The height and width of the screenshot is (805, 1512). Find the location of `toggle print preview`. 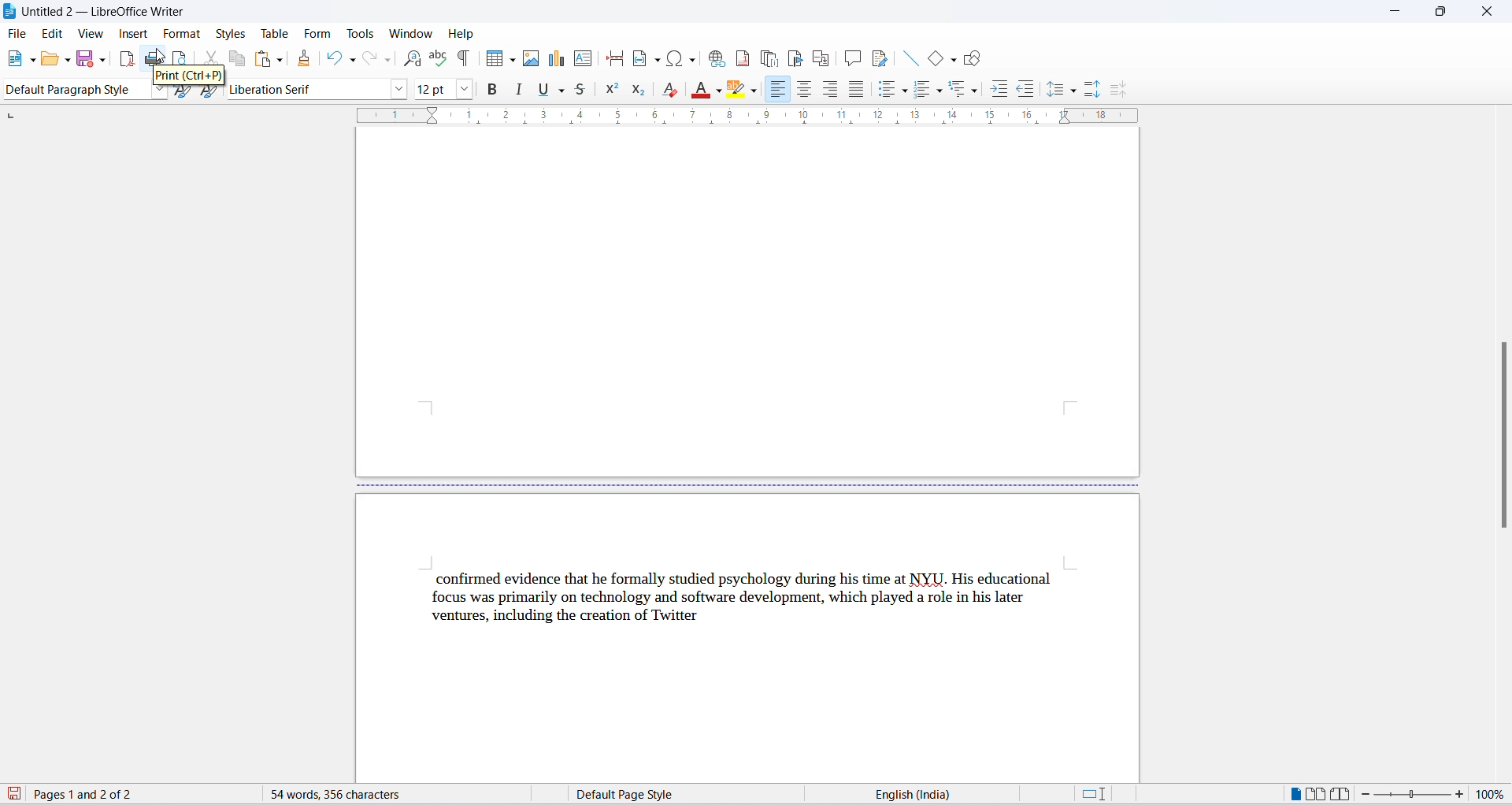

toggle print preview is located at coordinates (183, 55).